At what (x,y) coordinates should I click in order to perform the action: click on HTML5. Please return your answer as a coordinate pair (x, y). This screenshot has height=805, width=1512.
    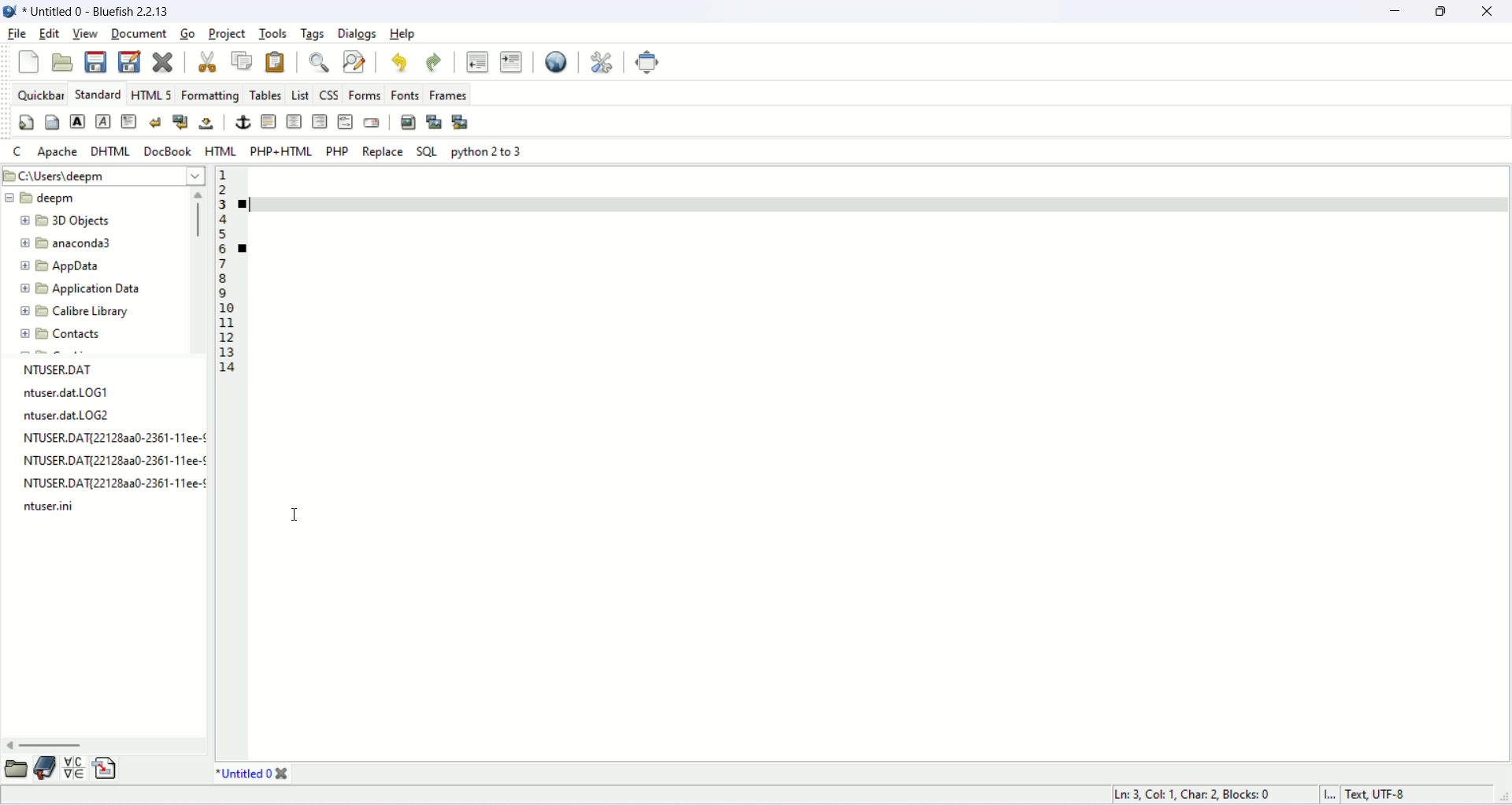
    Looking at the image, I should click on (148, 94).